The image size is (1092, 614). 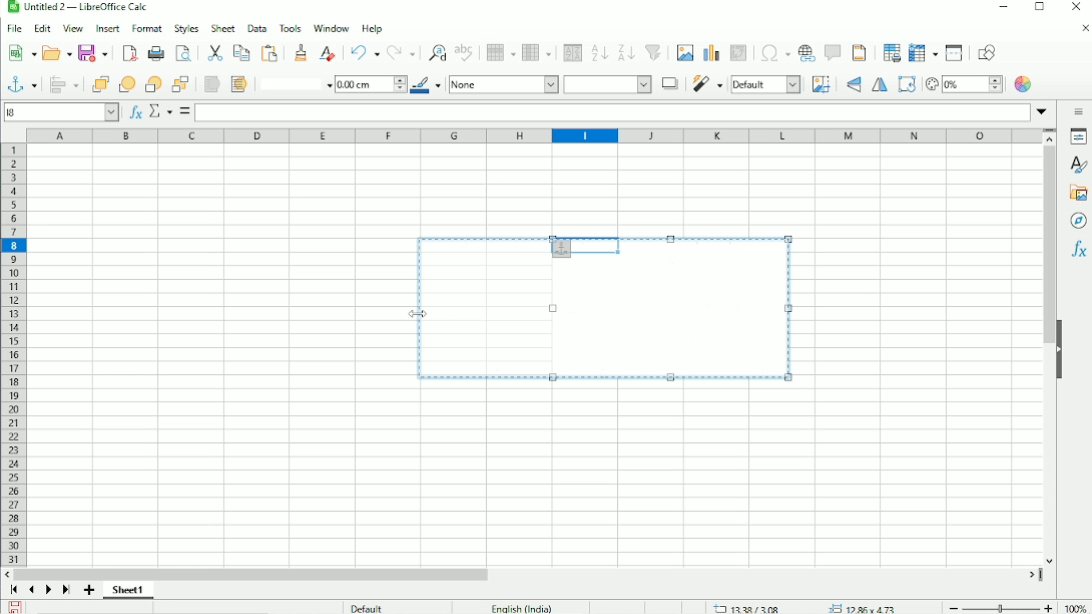 What do you see at coordinates (241, 52) in the screenshot?
I see `Copy` at bounding box center [241, 52].